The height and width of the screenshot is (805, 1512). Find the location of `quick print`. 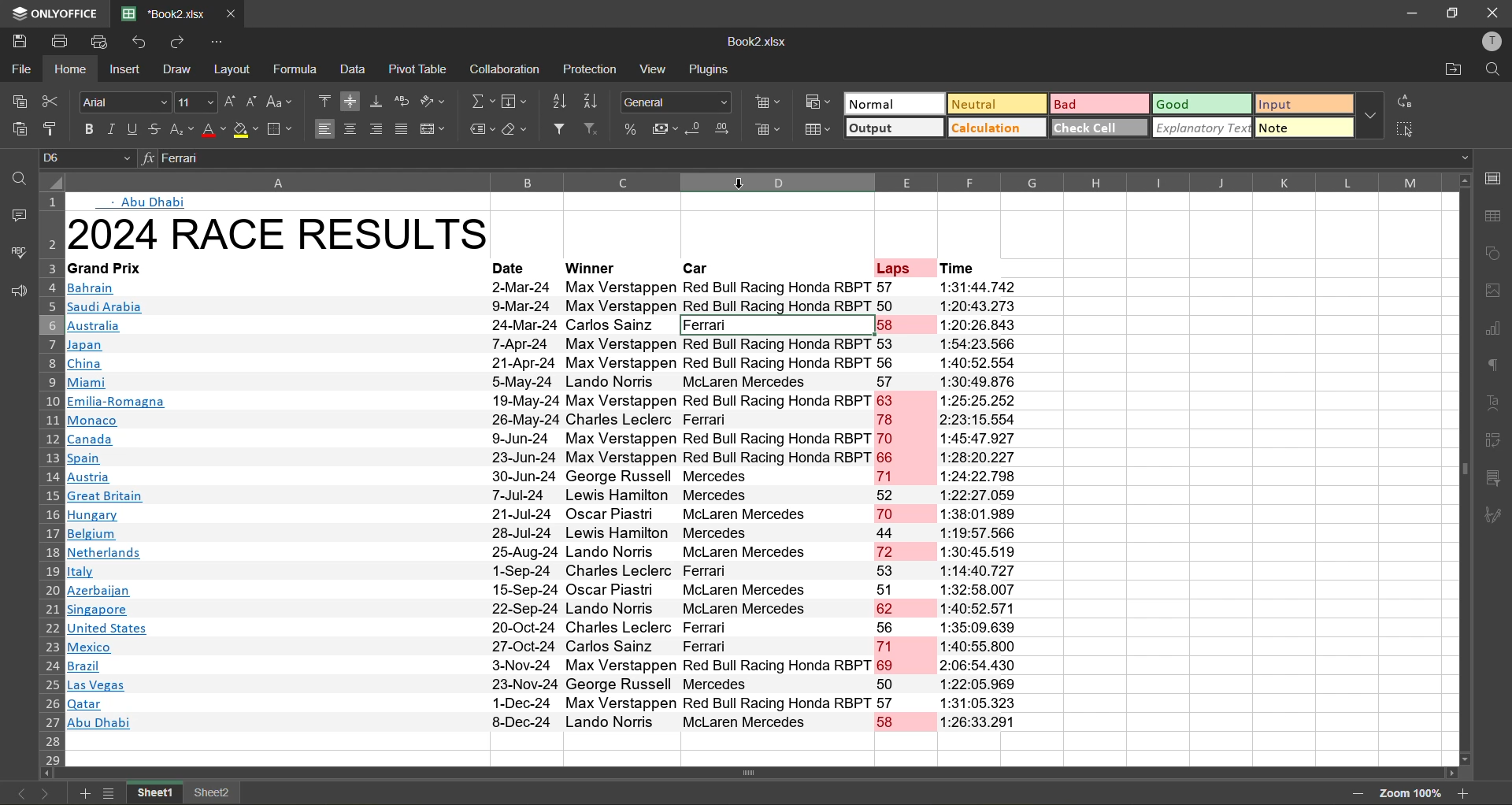

quick print is located at coordinates (98, 41).